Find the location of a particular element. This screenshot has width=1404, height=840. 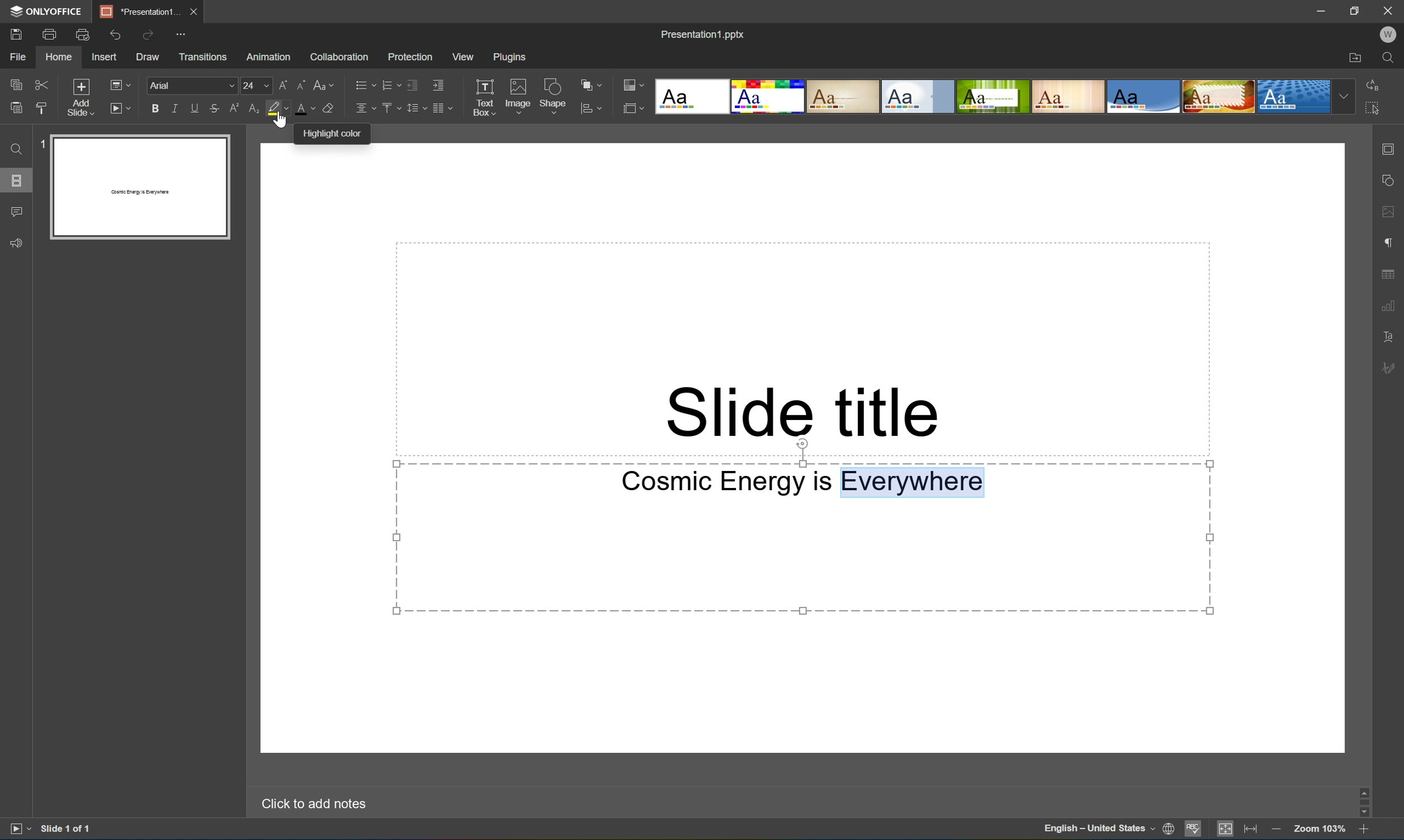

Start layout is located at coordinates (119, 108).